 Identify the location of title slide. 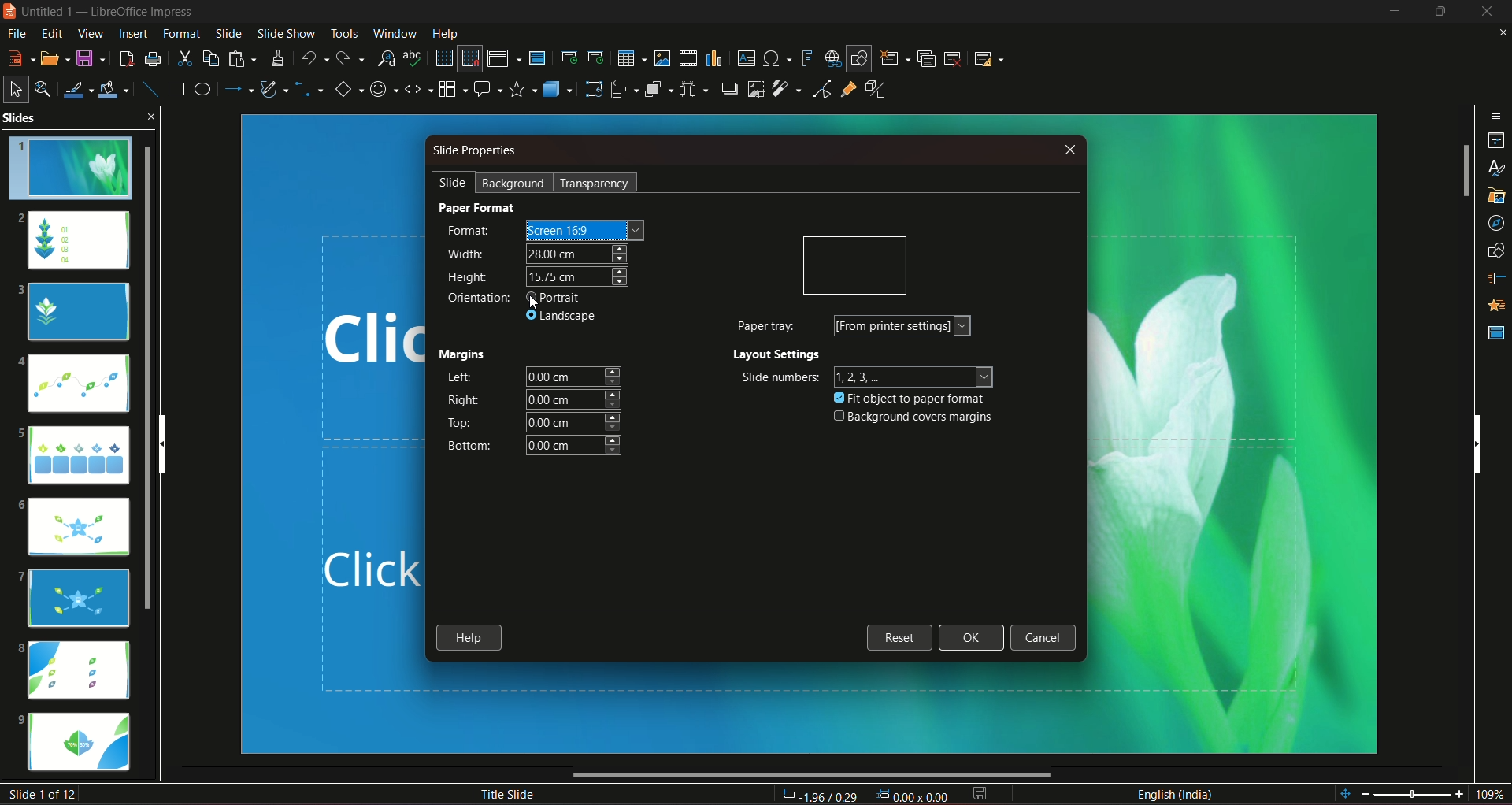
(505, 793).